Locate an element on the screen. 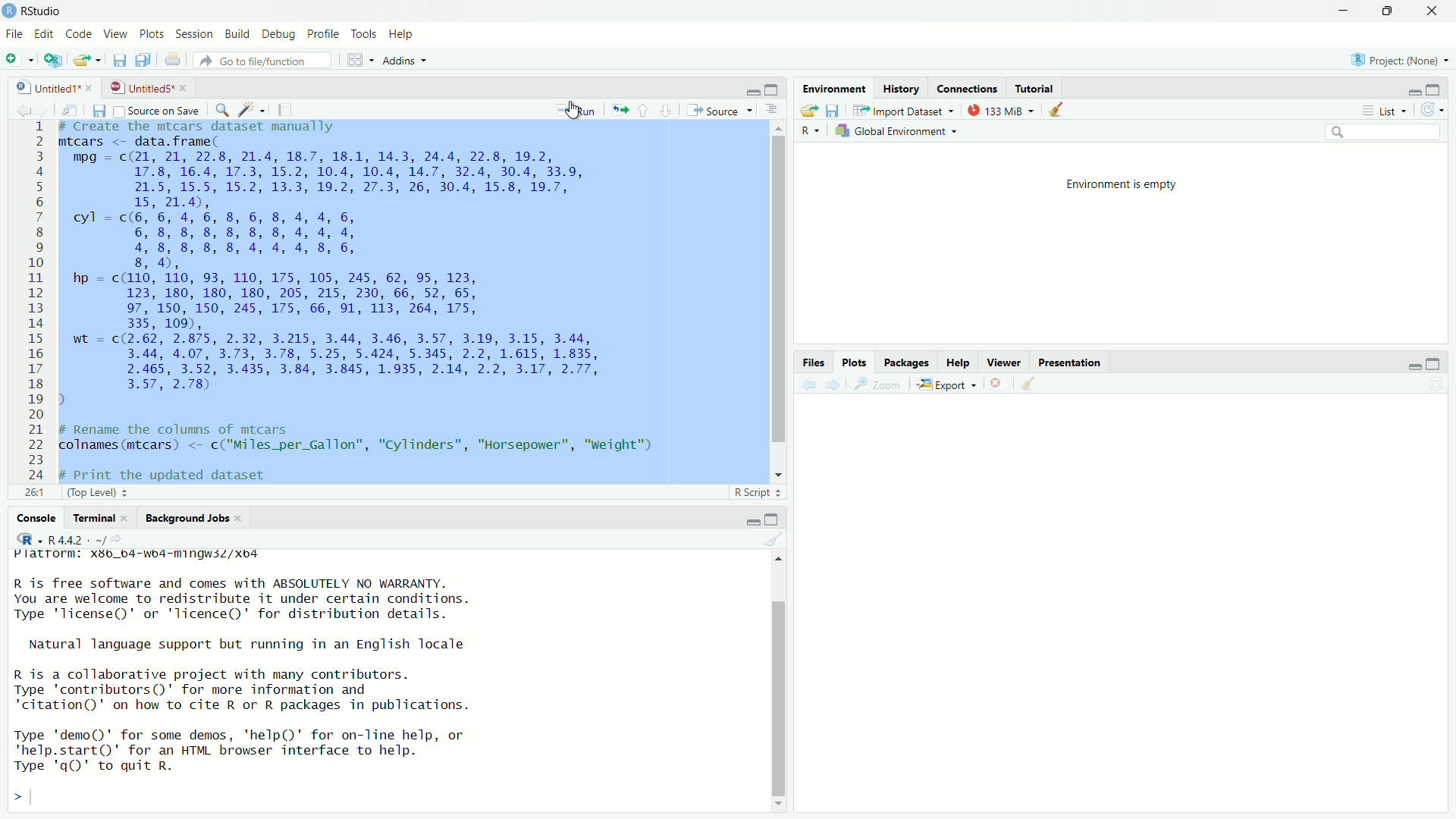 The height and width of the screenshot is (819, 1456). spark is located at coordinates (249, 107).